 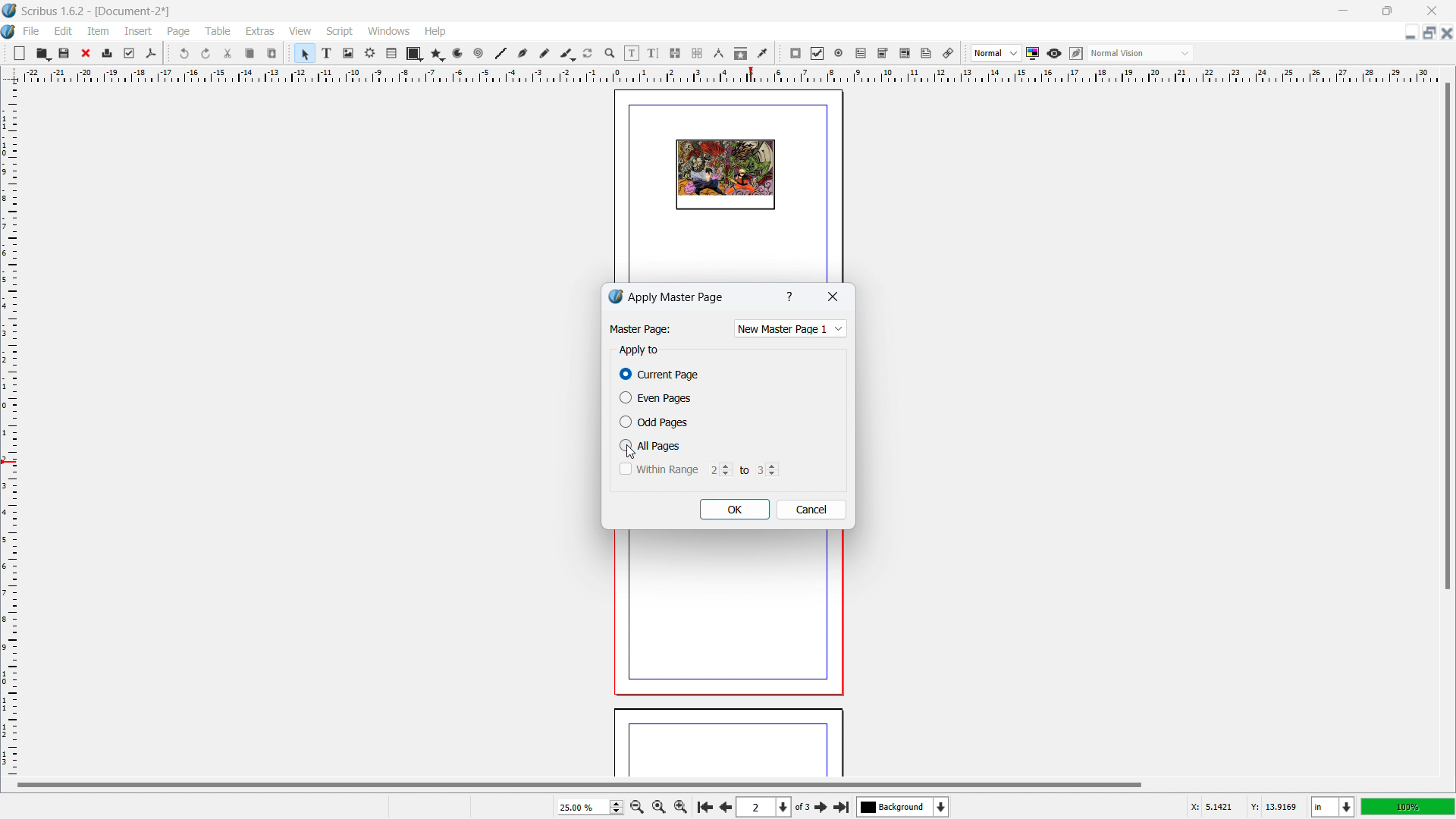 I want to click on print, so click(x=108, y=52).